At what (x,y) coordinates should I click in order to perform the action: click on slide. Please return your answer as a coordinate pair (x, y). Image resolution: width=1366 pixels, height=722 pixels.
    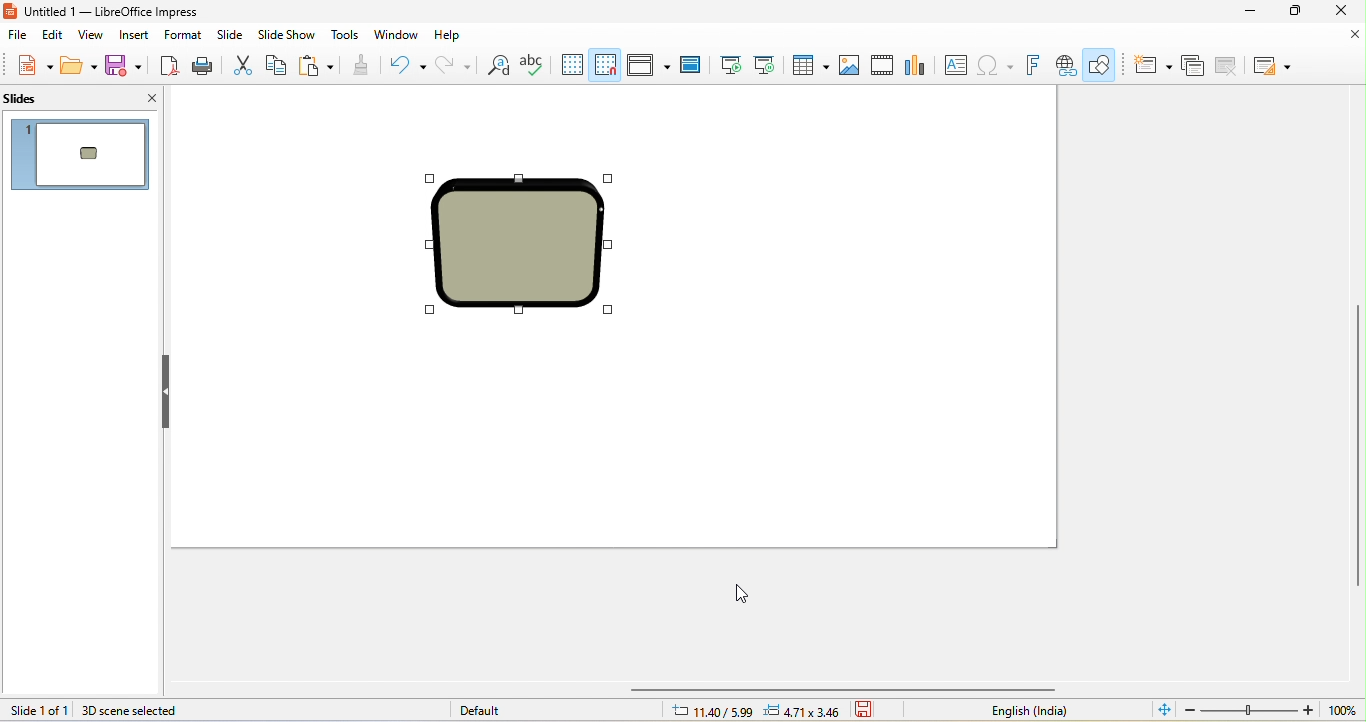
    Looking at the image, I should click on (232, 33).